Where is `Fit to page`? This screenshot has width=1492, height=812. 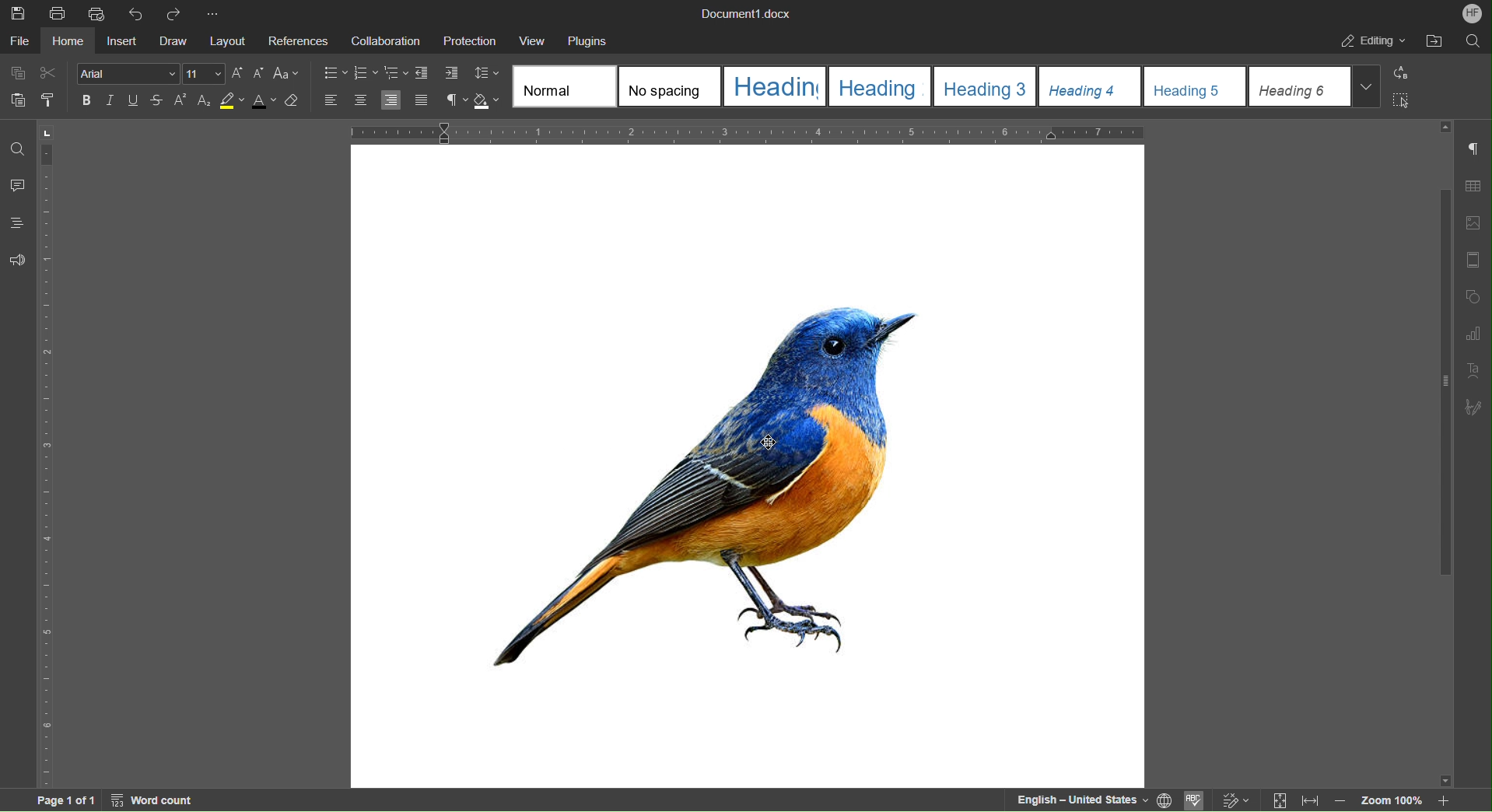 Fit to page is located at coordinates (1280, 800).